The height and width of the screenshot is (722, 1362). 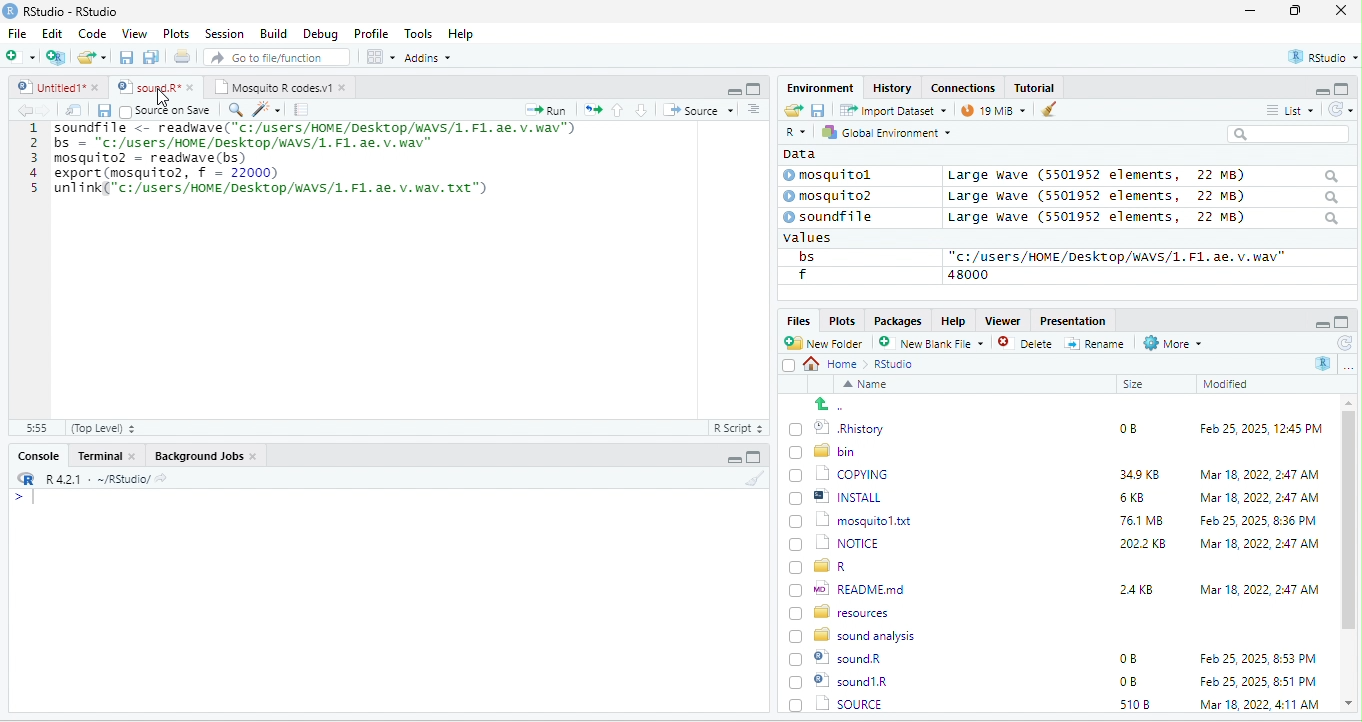 I want to click on minimize, so click(x=1250, y=12).